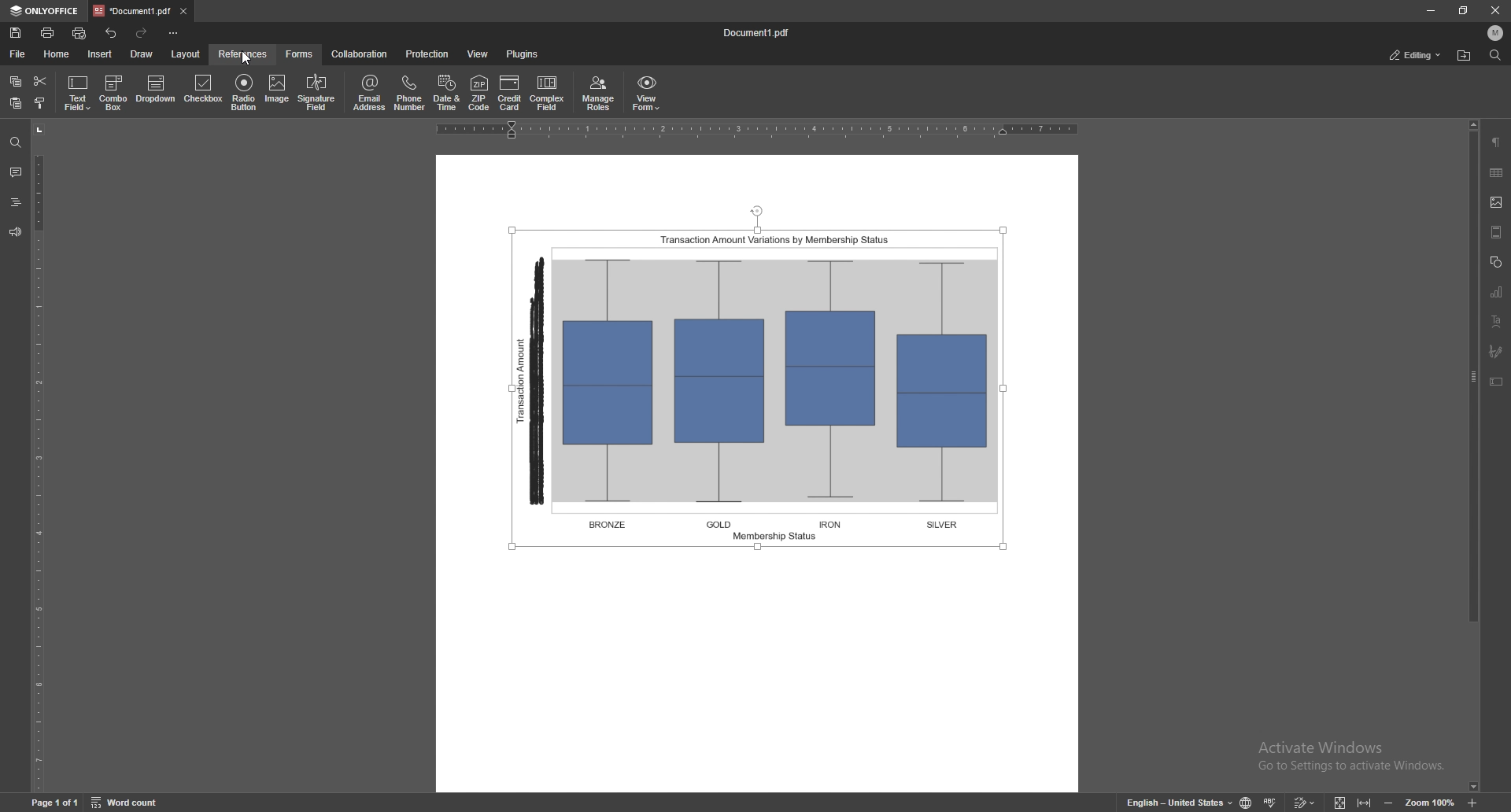 This screenshot has height=812, width=1511. I want to click on scroll bar, so click(1471, 456).